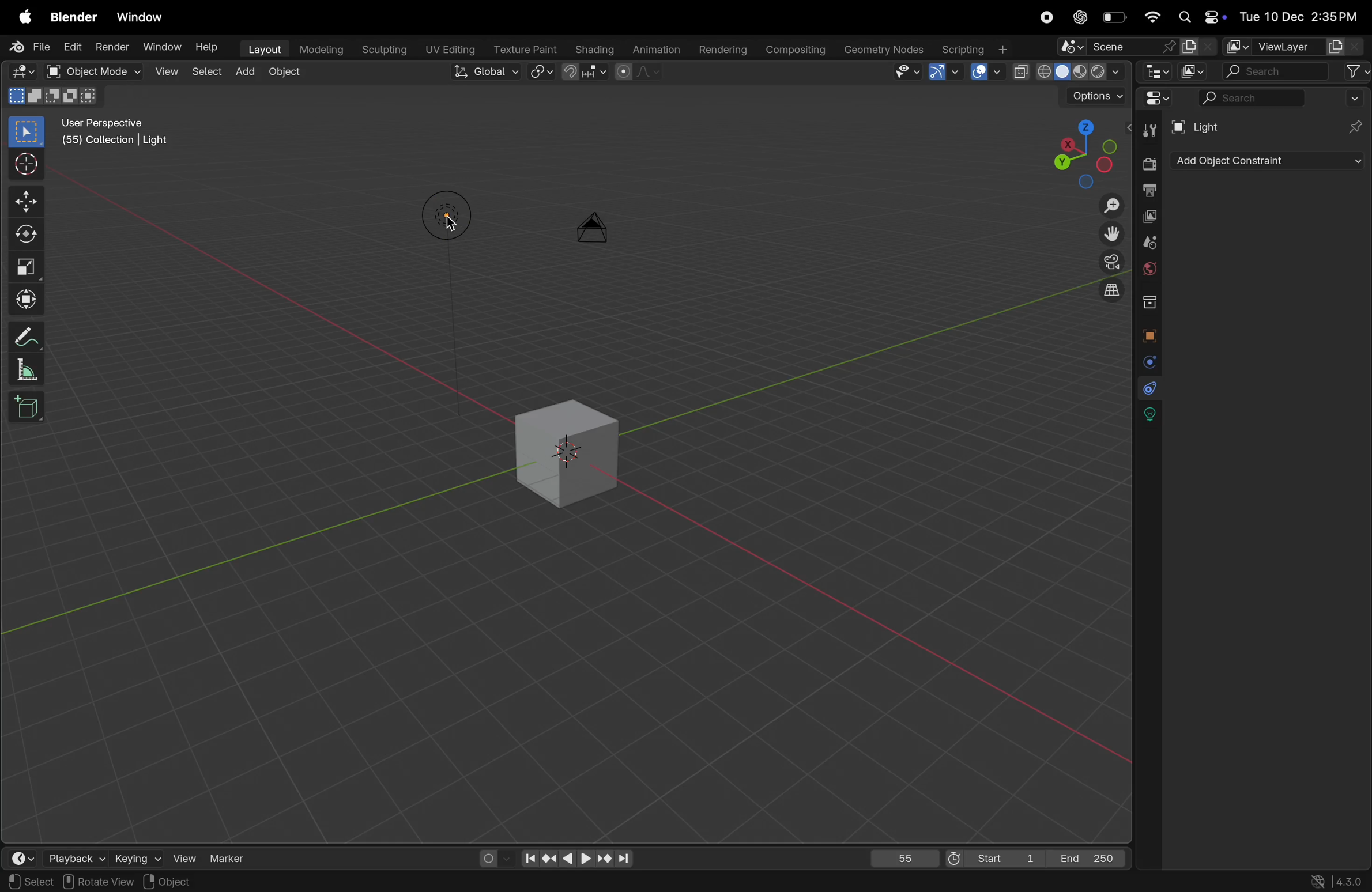 This screenshot has height=892, width=1372. I want to click on tools, so click(1149, 129).